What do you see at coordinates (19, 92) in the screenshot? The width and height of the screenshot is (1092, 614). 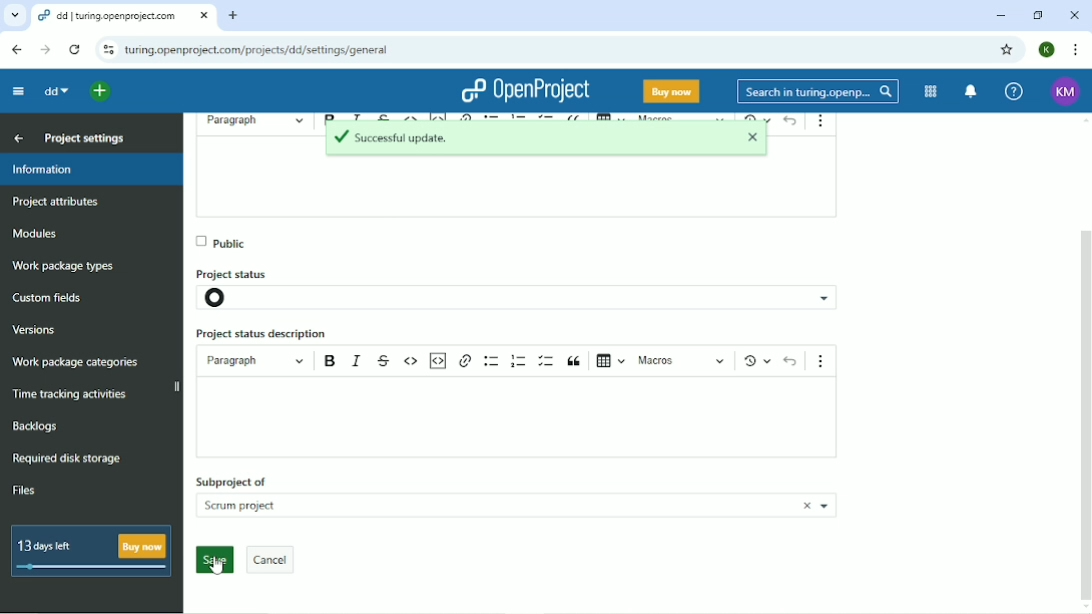 I see `Collapse project menu` at bounding box center [19, 92].